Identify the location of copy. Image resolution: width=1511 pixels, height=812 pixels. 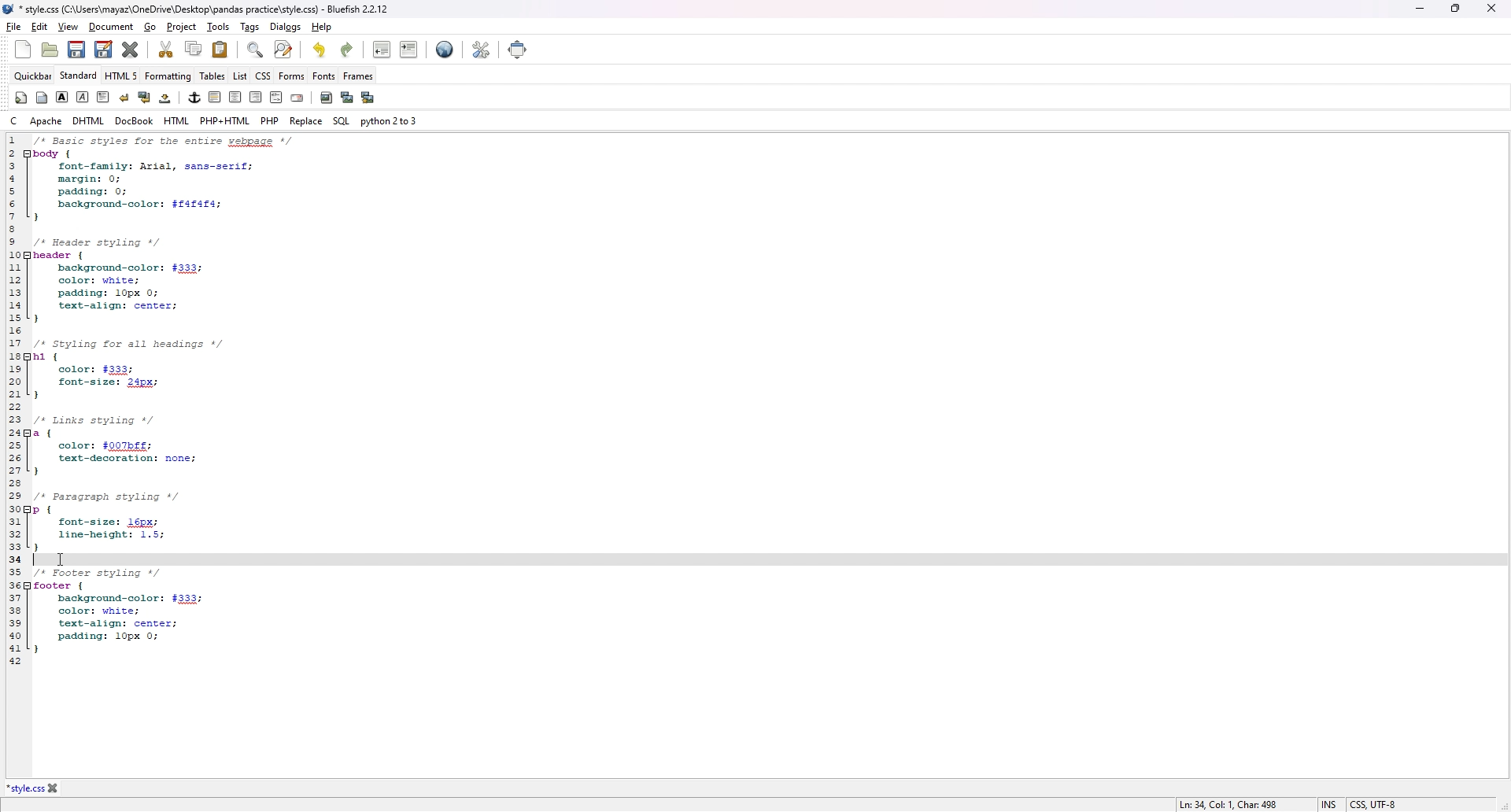
(195, 49).